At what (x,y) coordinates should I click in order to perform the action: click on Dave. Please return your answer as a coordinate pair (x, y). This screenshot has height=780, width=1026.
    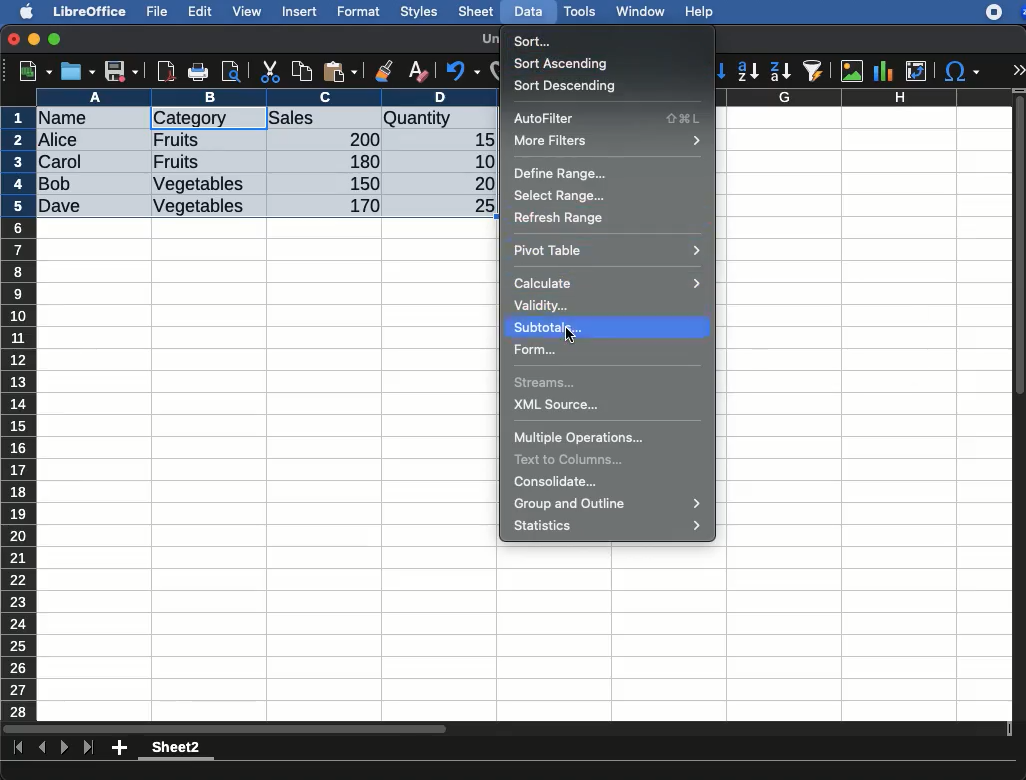
    Looking at the image, I should click on (64, 207).